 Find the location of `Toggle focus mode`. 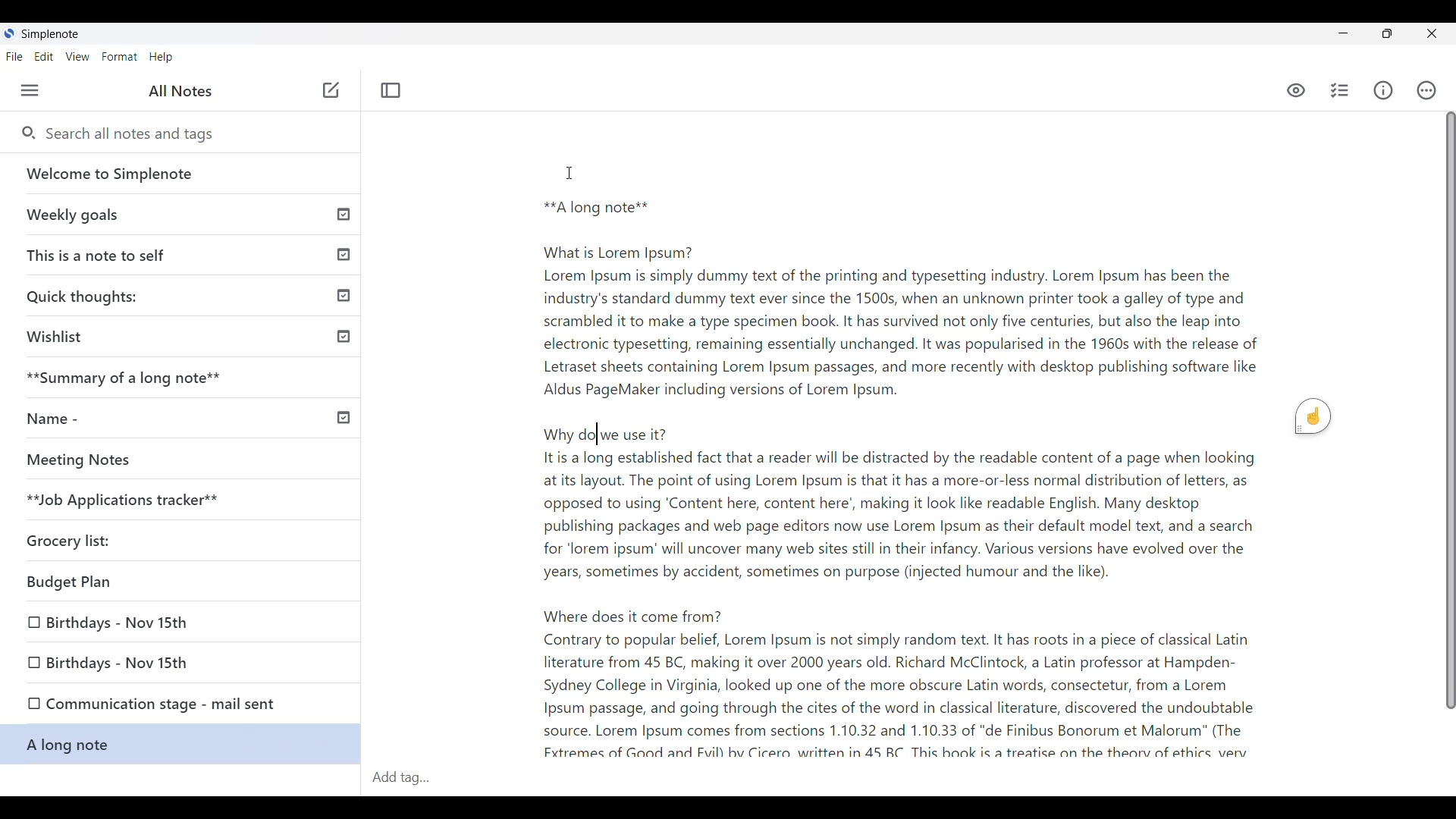

Toggle focus mode is located at coordinates (391, 90).